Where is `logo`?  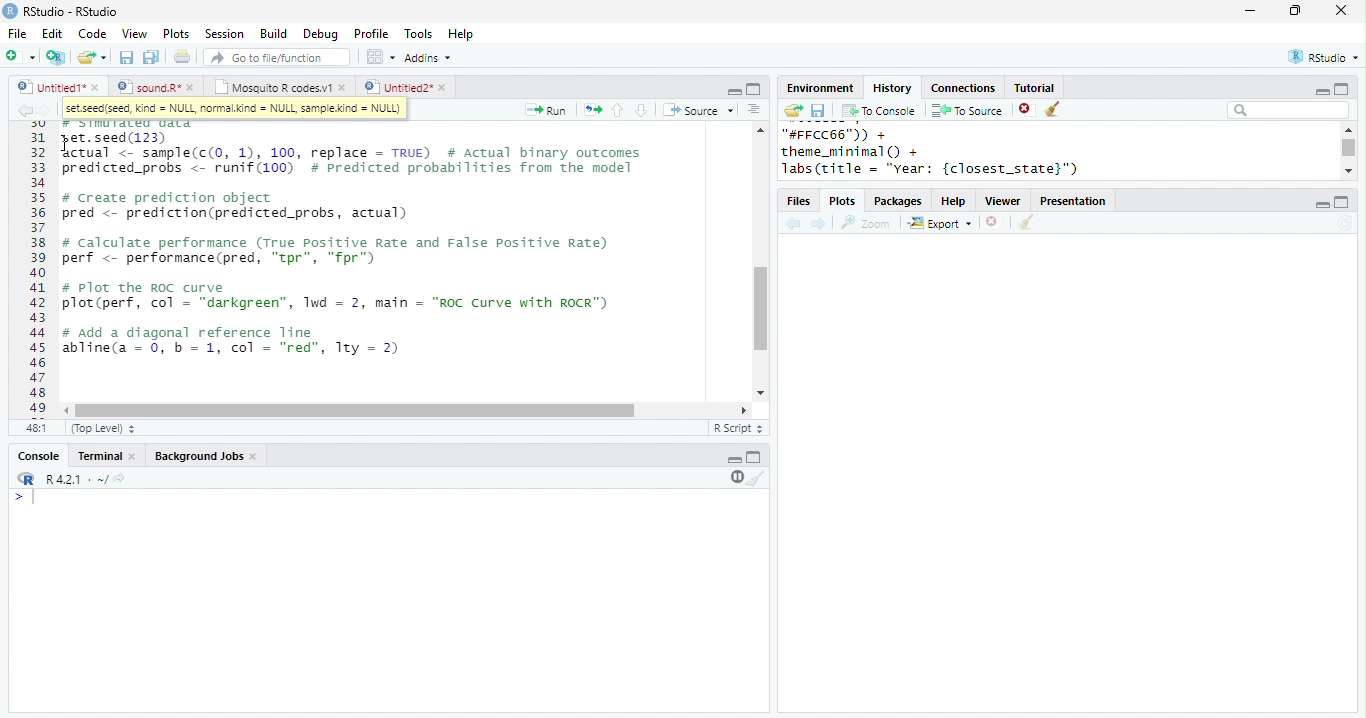 logo is located at coordinates (10, 10).